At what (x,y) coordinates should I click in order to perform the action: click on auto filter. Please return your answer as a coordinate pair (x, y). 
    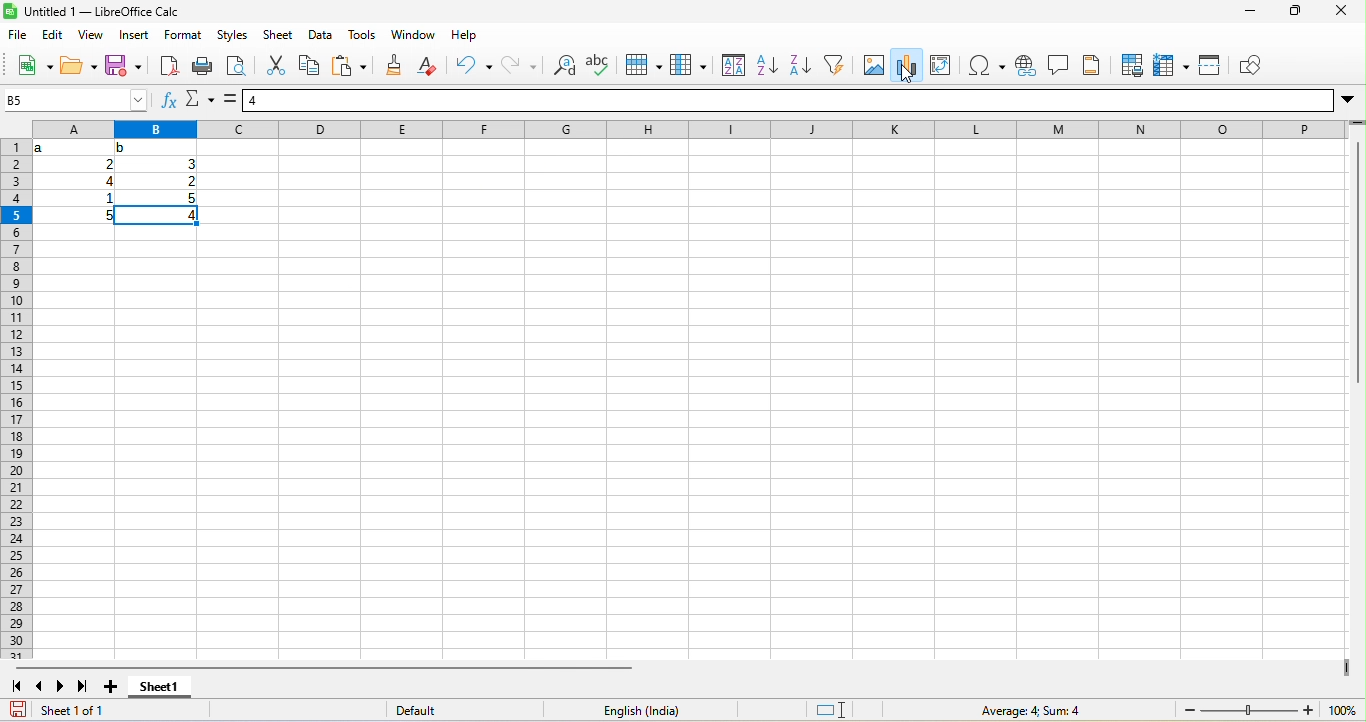
    Looking at the image, I should click on (834, 64).